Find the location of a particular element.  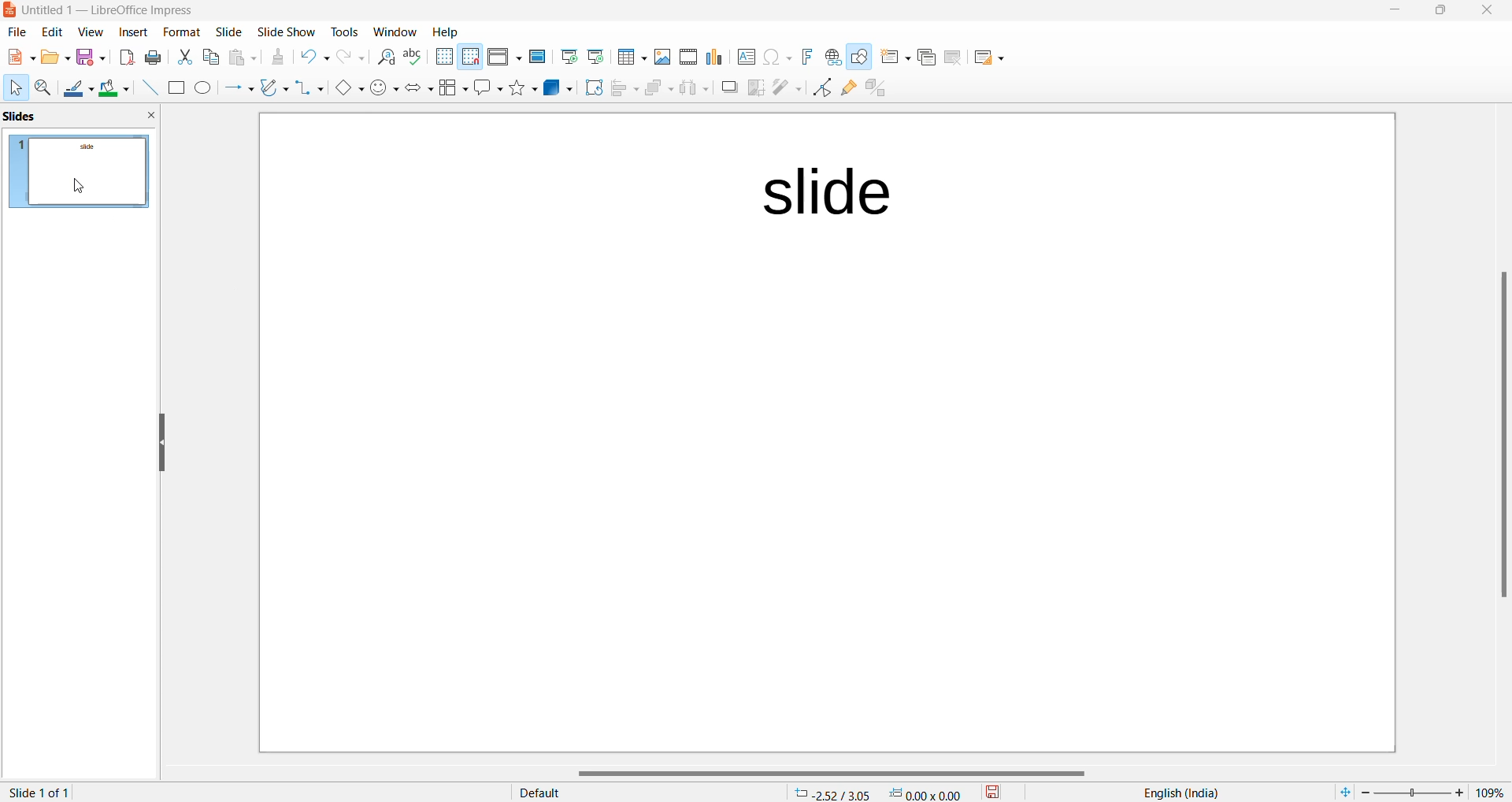

slide preview is located at coordinates (78, 172).